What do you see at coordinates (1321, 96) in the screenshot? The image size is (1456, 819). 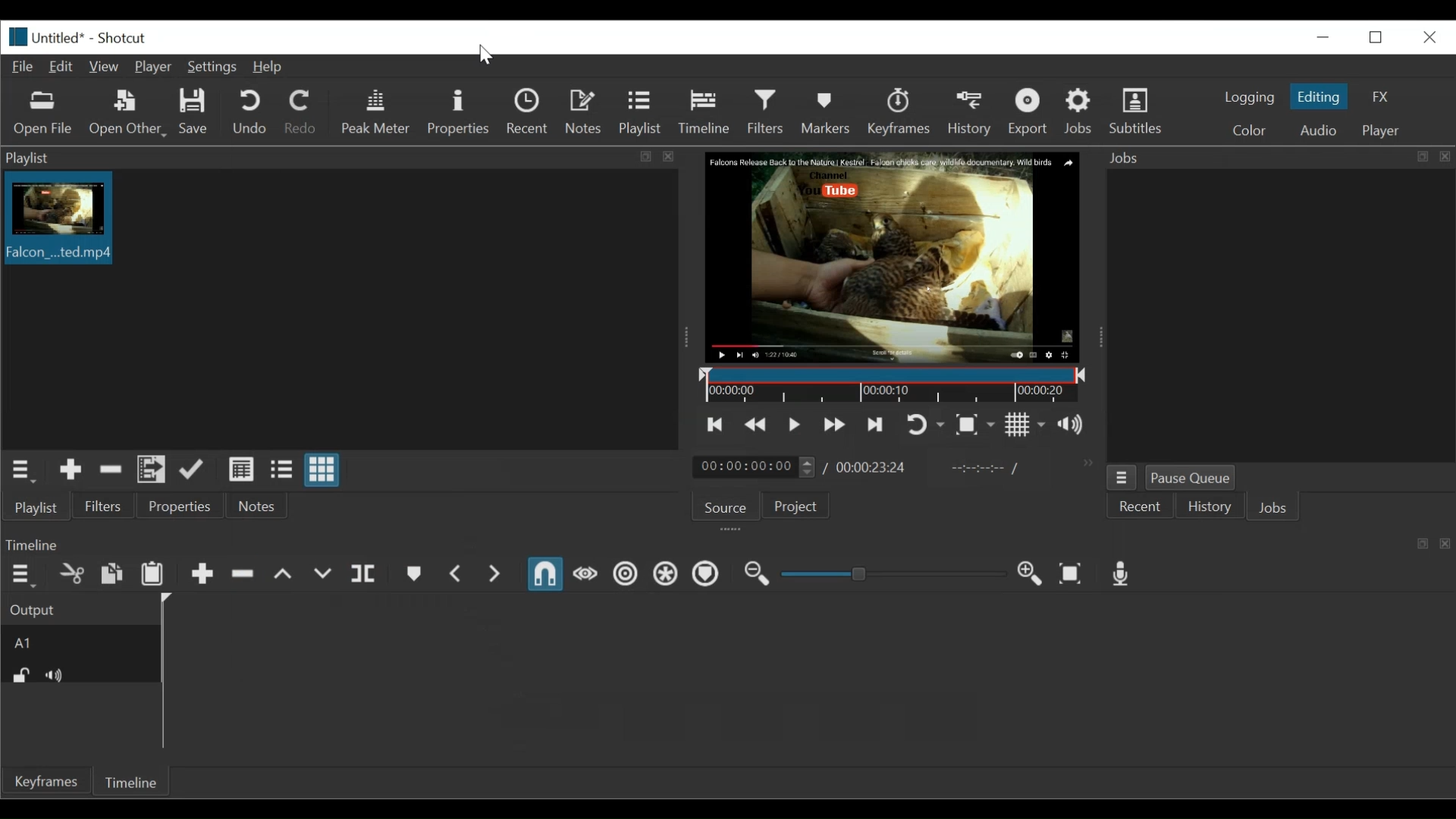 I see `Editing` at bounding box center [1321, 96].